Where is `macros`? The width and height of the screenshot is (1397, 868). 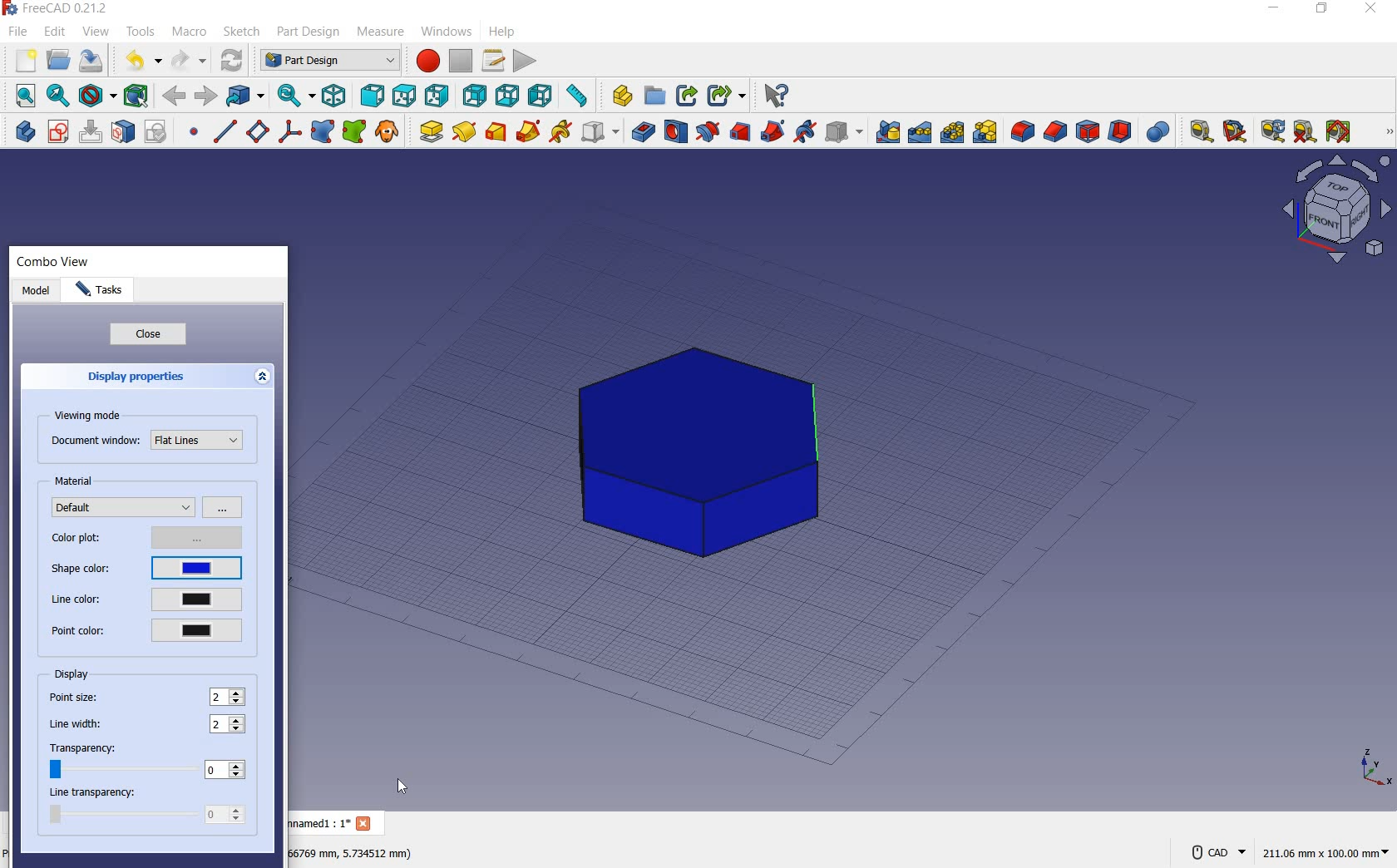
macros is located at coordinates (492, 61).